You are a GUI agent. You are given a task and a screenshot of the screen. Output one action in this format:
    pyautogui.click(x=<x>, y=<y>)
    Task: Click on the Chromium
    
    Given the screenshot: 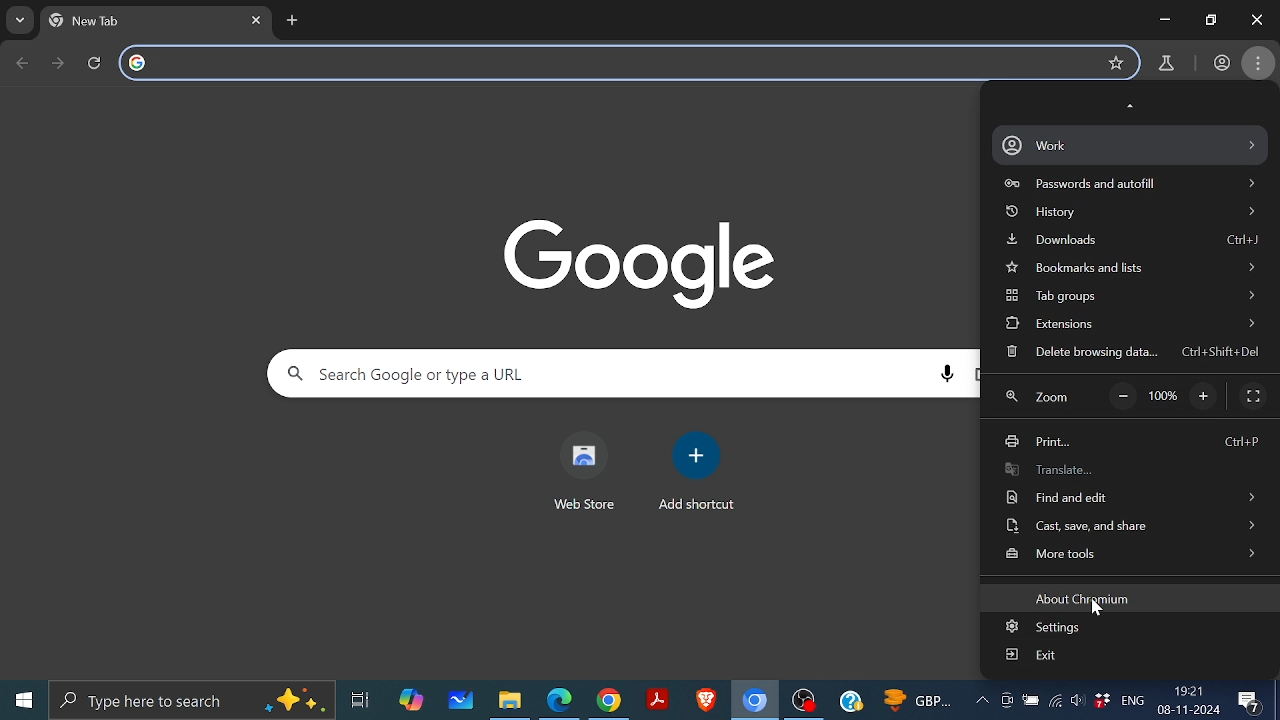 What is the action you would take?
    pyautogui.click(x=754, y=699)
    